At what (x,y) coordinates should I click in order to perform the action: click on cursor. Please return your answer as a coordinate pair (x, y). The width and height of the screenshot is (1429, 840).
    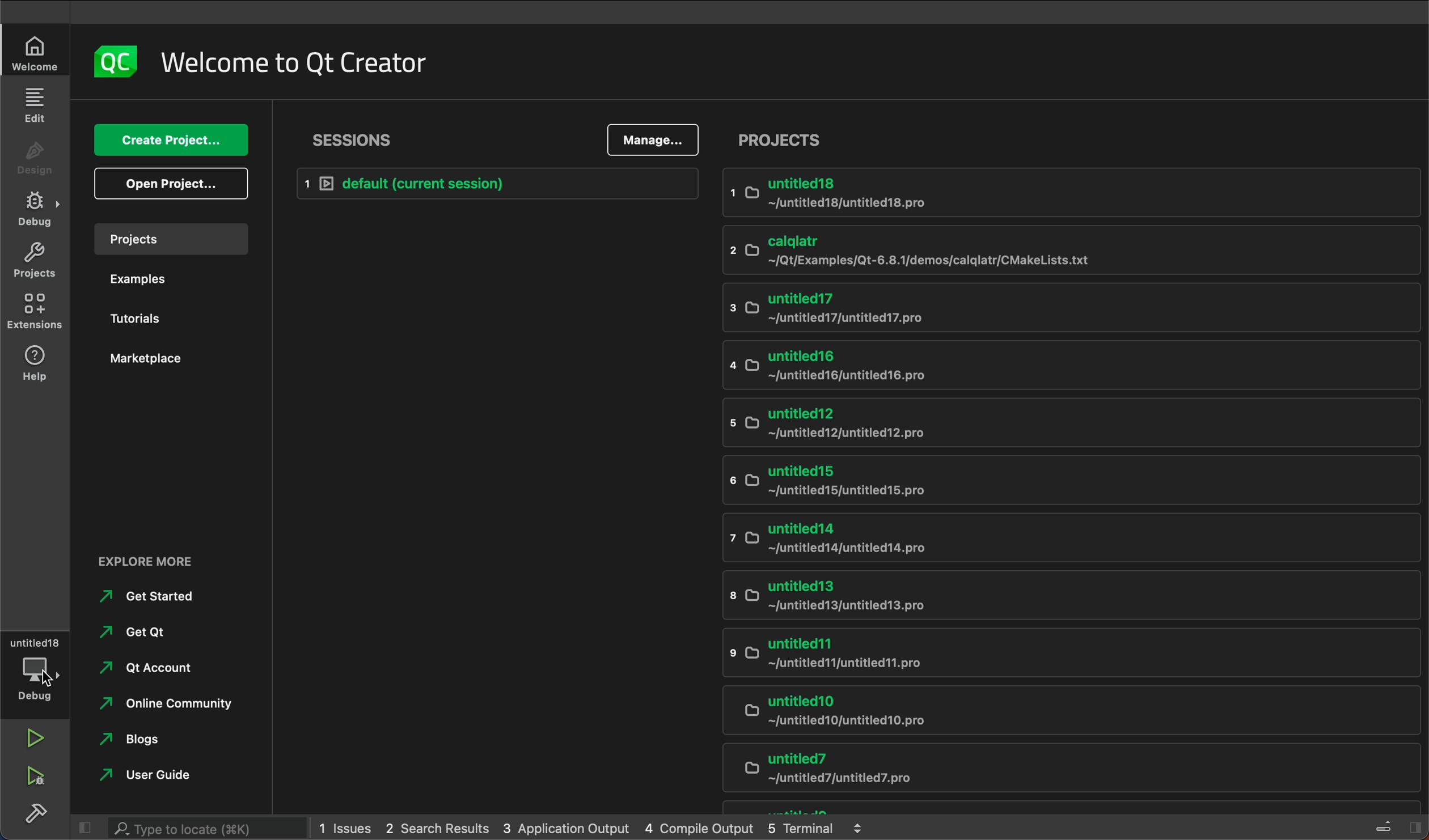
    Looking at the image, I should click on (49, 680).